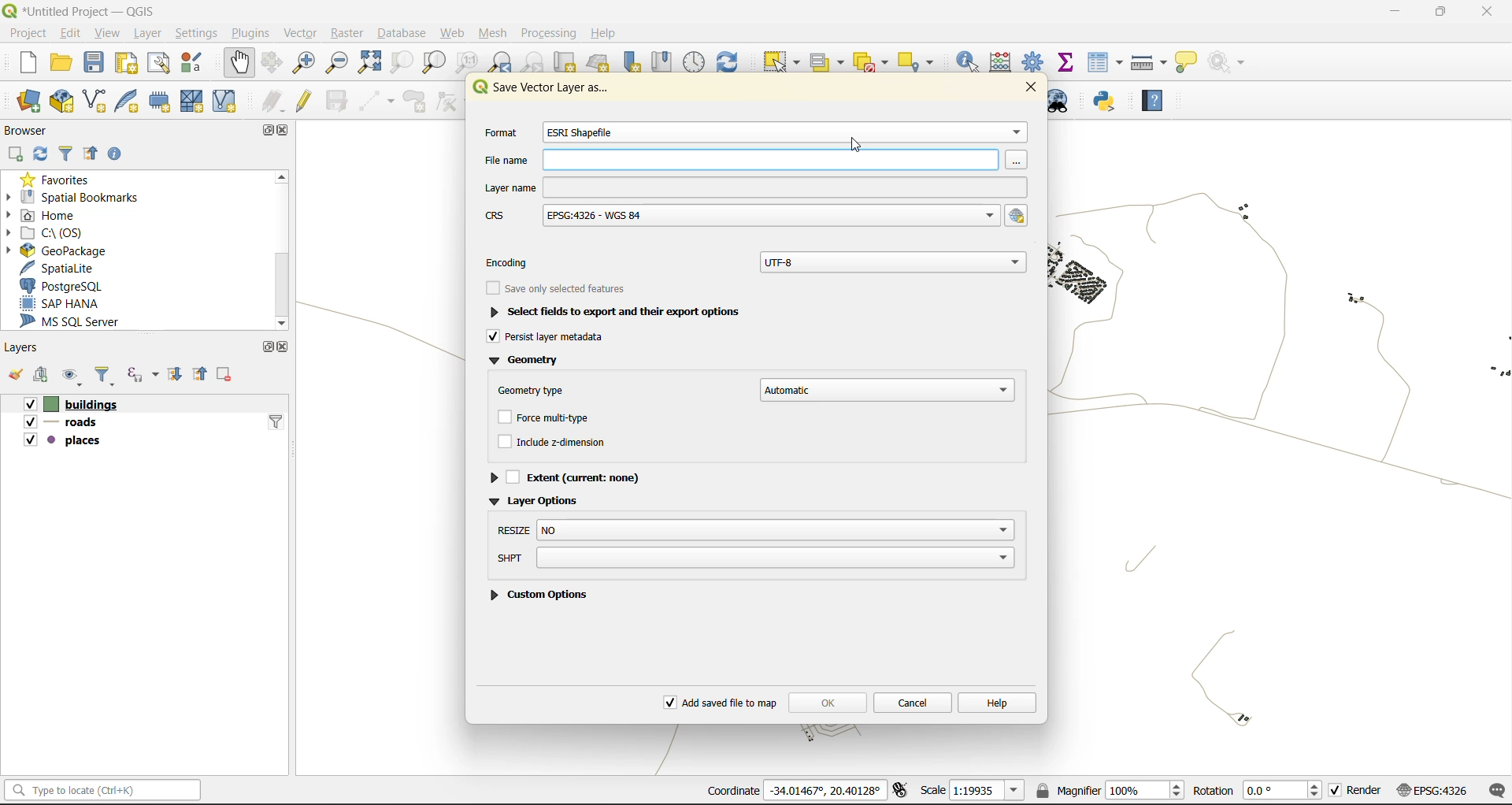 The height and width of the screenshot is (805, 1512). I want to click on new spatialite, so click(131, 99).